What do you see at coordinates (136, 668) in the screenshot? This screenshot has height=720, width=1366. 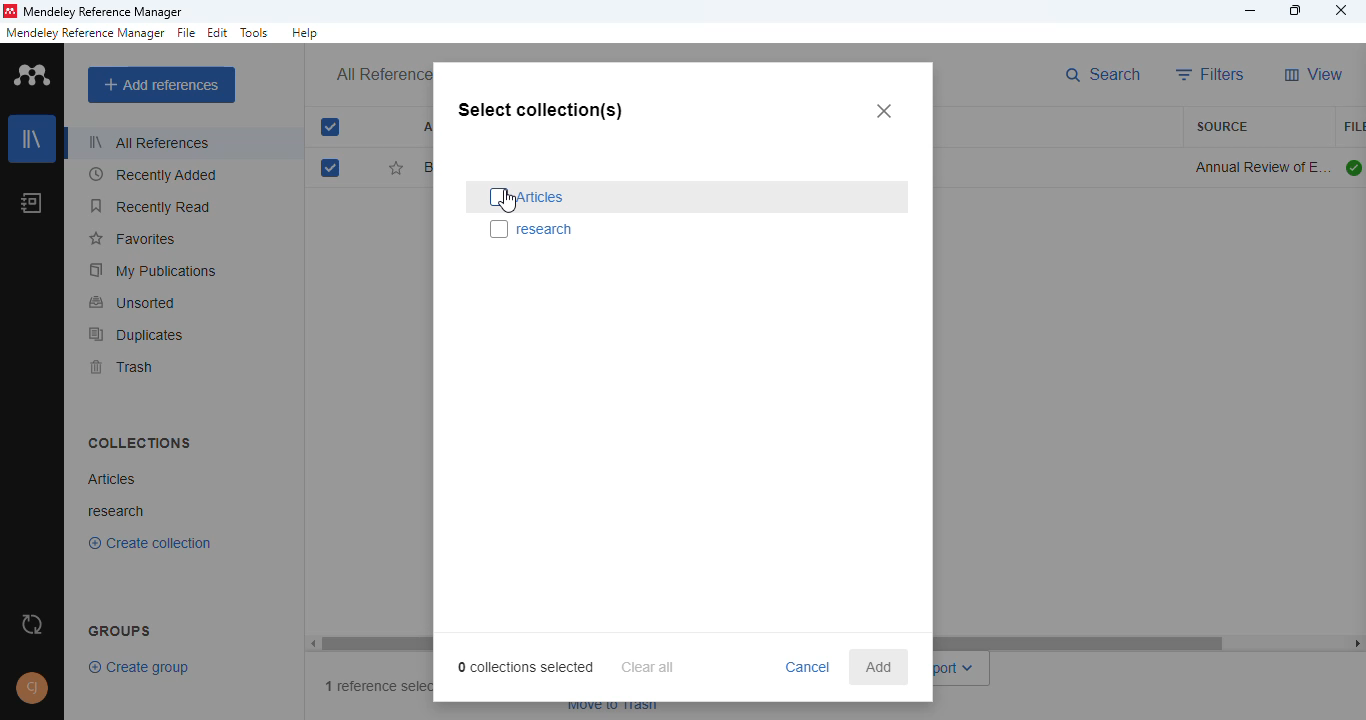 I see `create group` at bounding box center [136, 668].